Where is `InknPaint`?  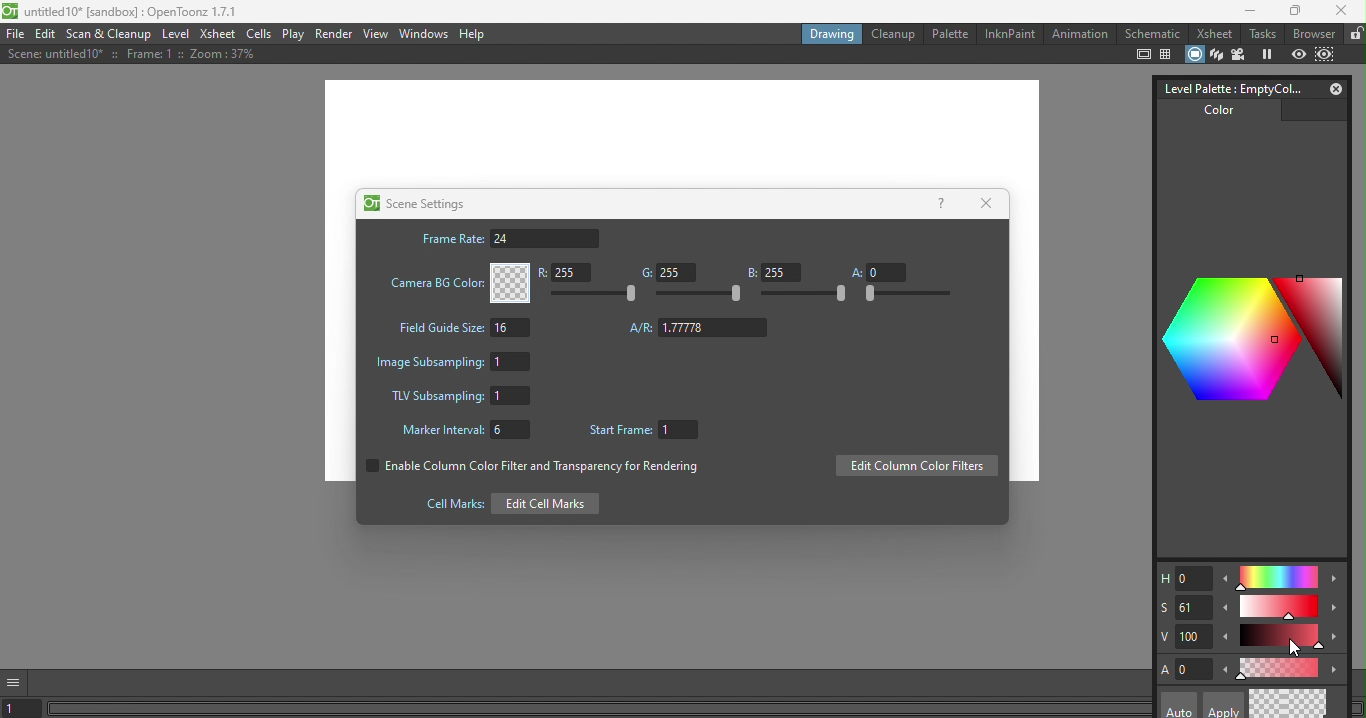 InknPaint is located at coordinates (1009, 32).